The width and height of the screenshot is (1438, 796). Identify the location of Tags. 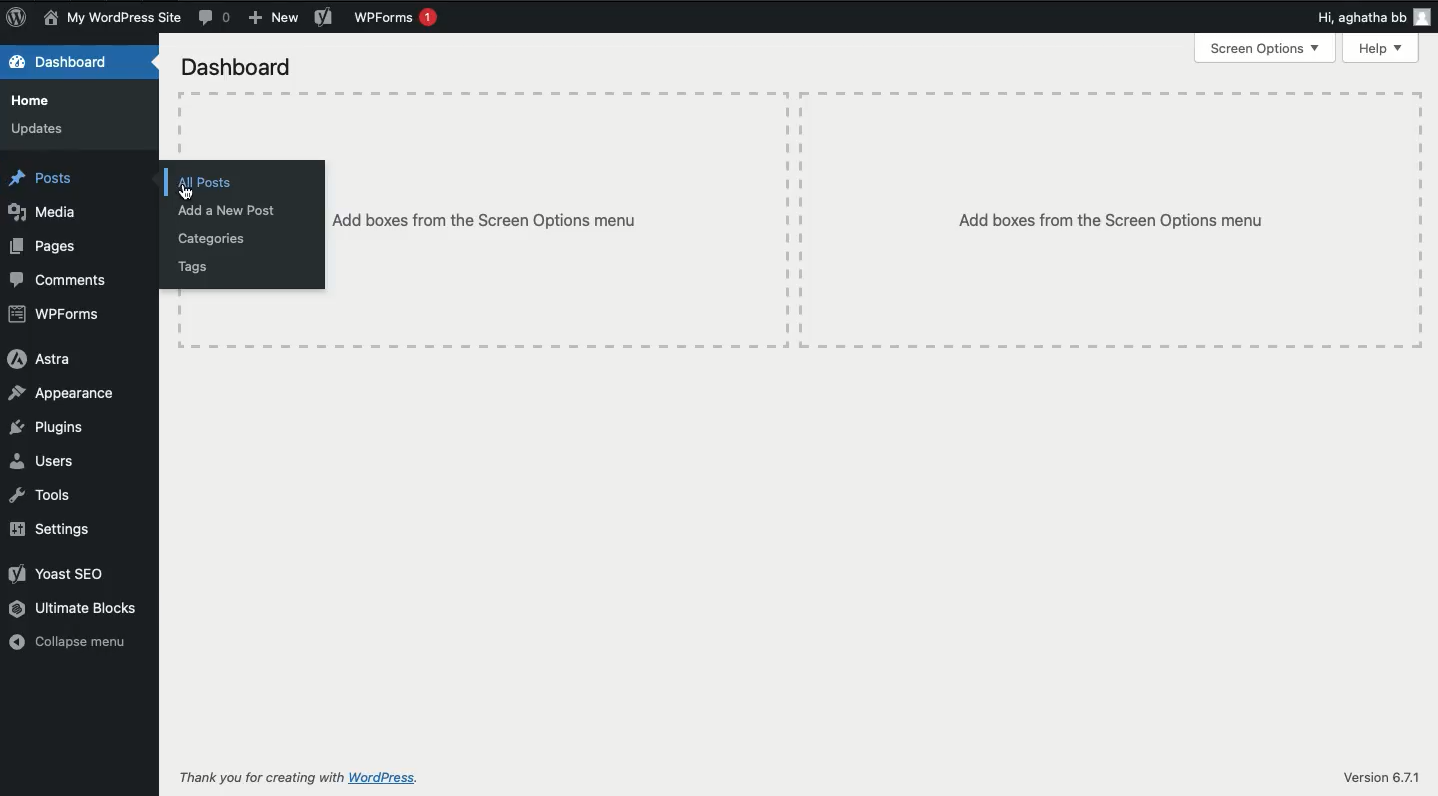
(194, 265).